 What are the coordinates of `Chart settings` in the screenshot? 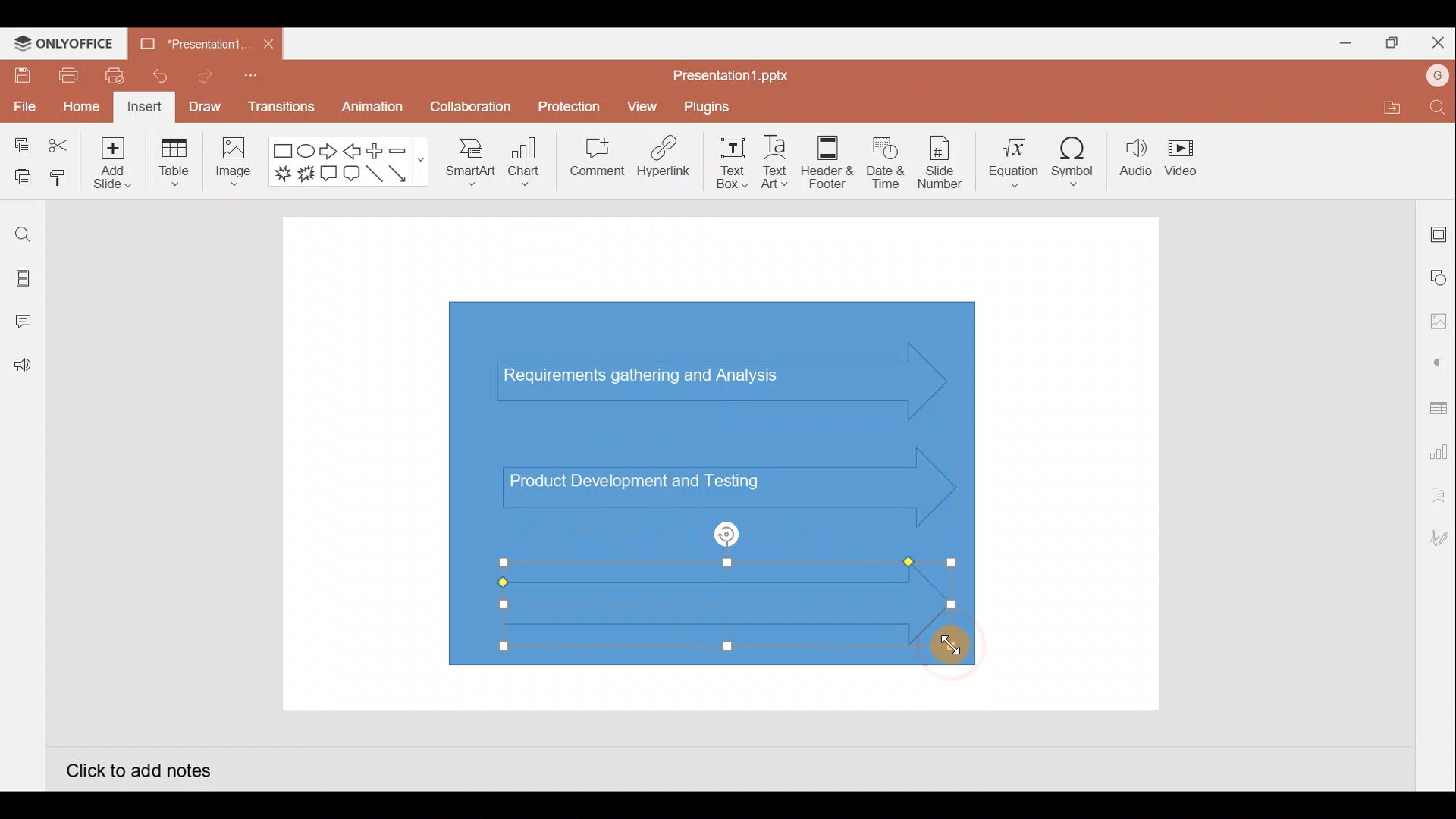 It's located at (1436, 449).